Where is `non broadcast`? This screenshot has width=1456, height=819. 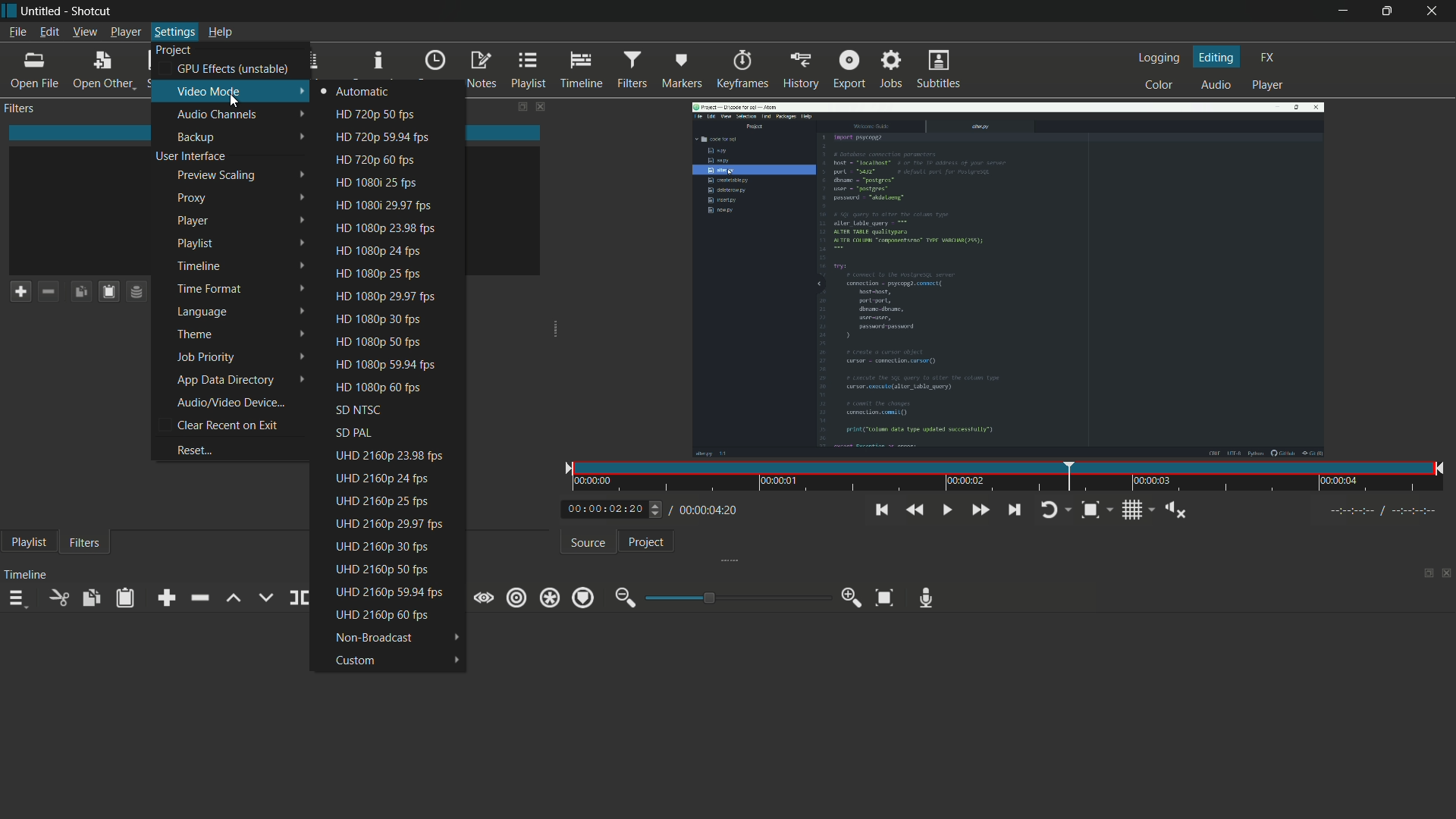
non broadcast is located at coordinates (397, 639).